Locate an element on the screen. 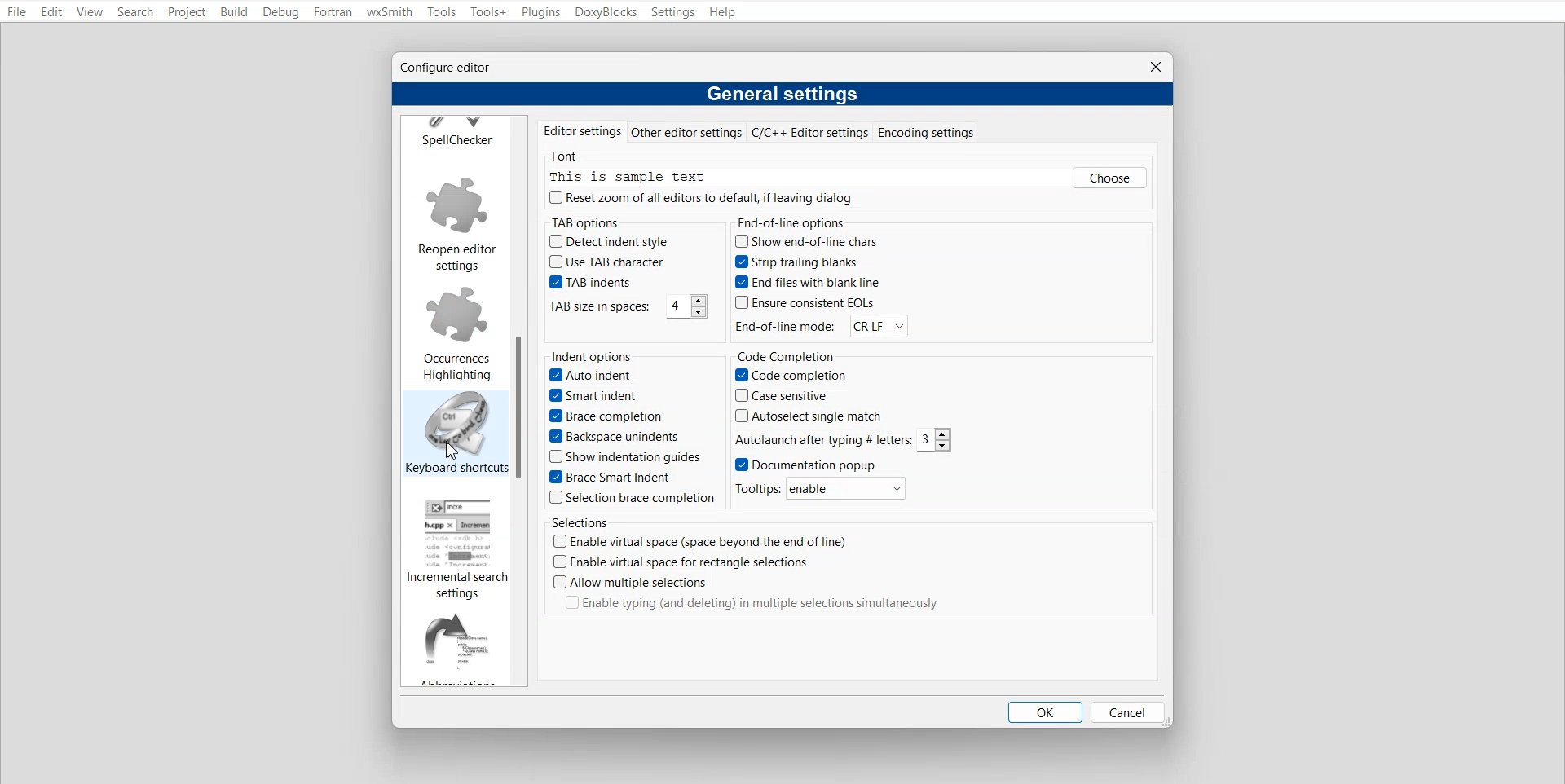 The width and height of the screenshot is (1565, 784). Strip trailing blanks is located at coordinates (798, 261).